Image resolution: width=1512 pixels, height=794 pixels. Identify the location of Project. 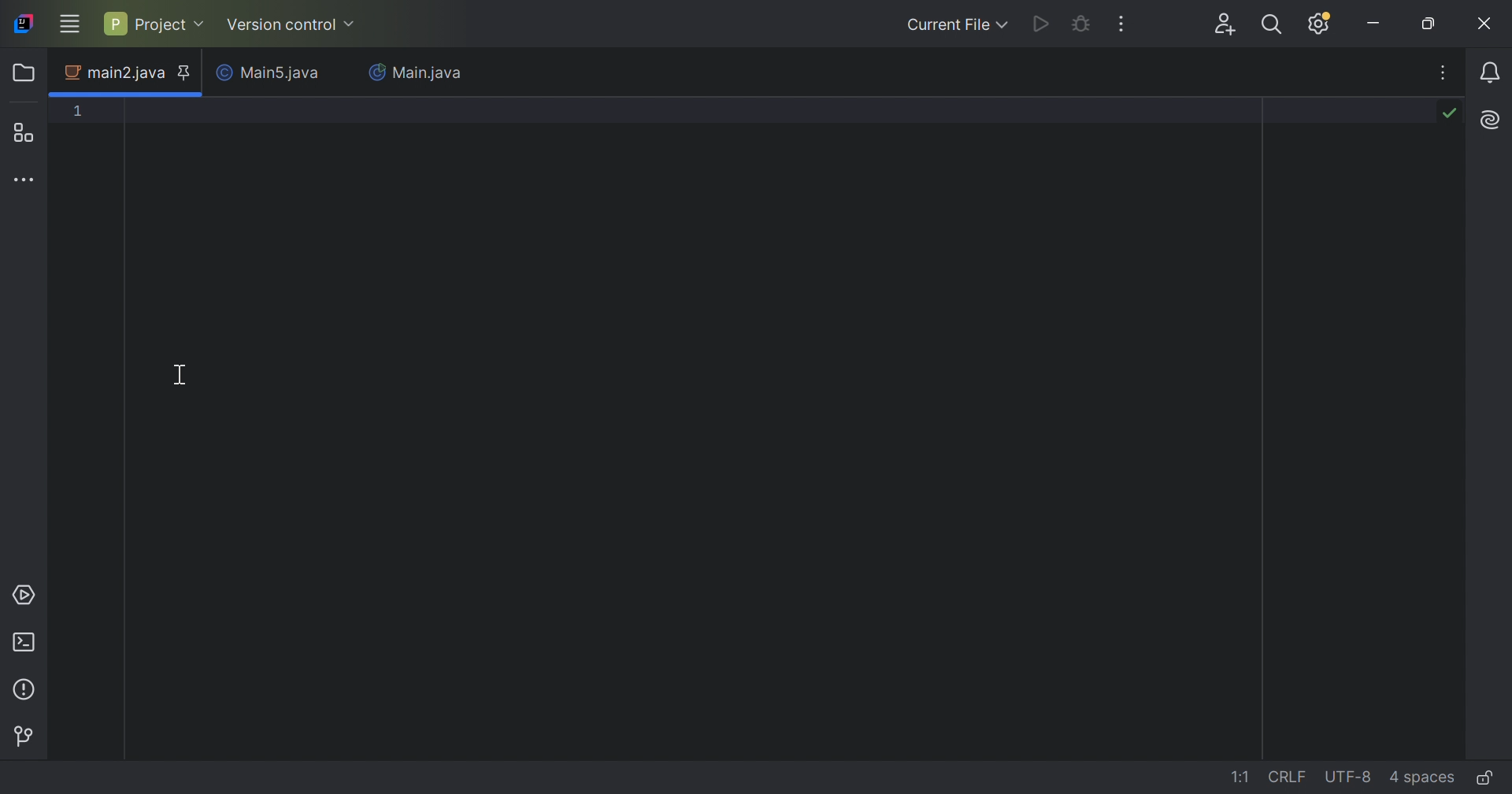
(152, 23).